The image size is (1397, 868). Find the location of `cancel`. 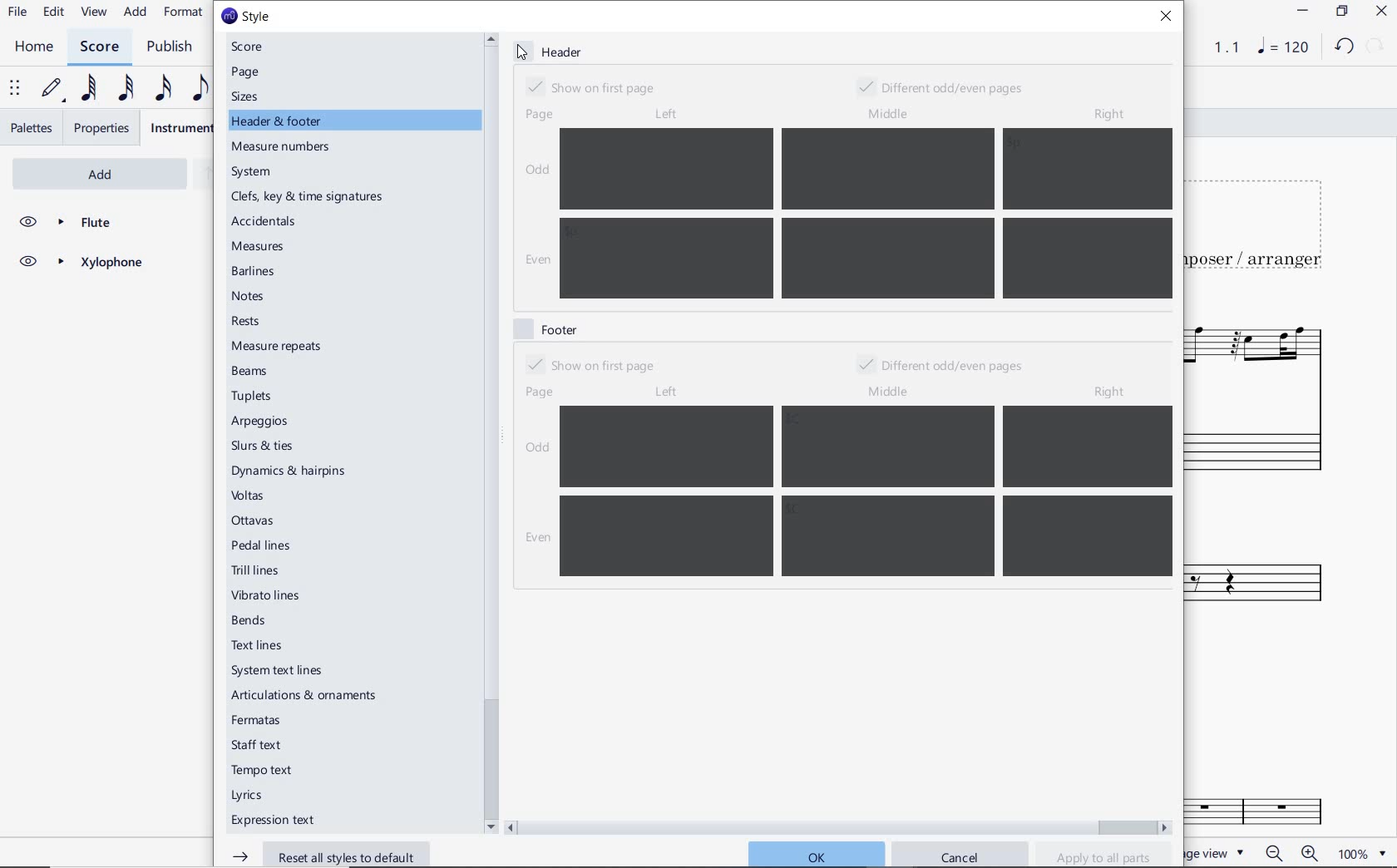

cancel is located at coordinates (963, 856).